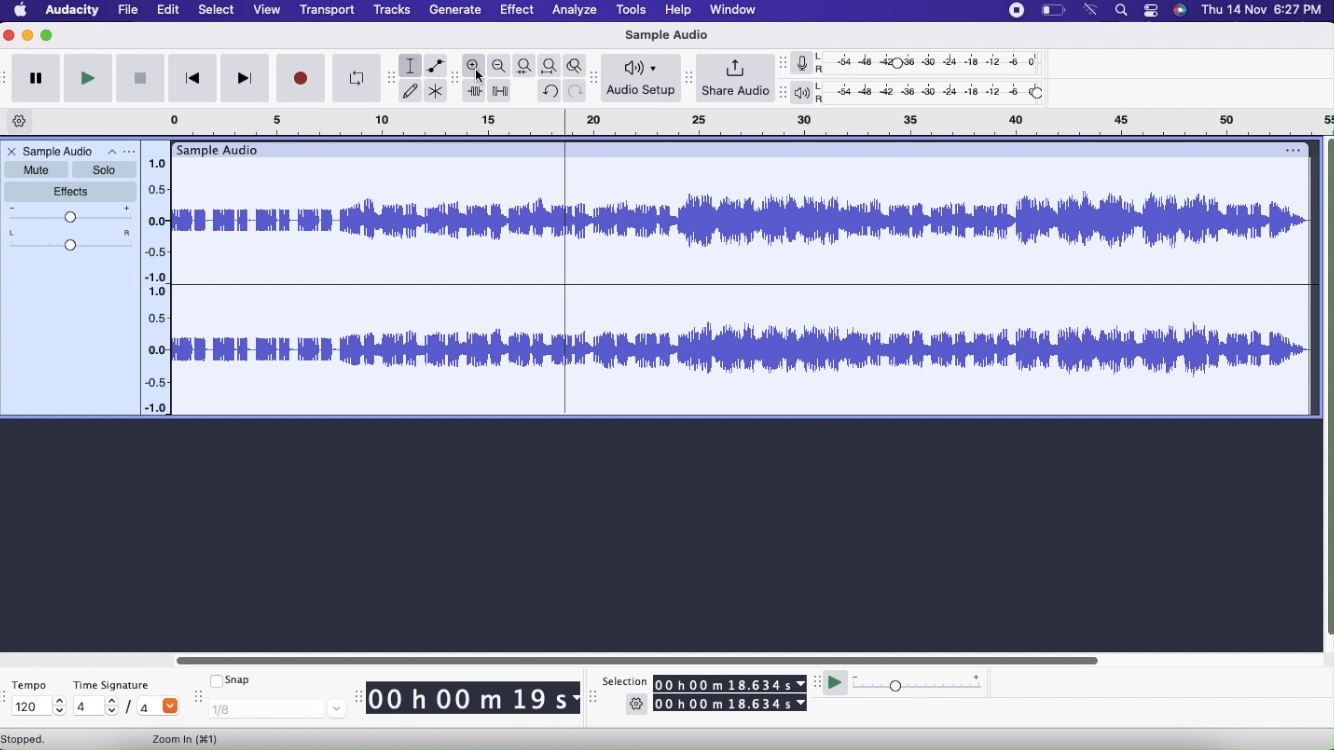  What do you see at coordinates (234, 681) in the screenshot?
I see `Snap` at bounding box center [234, 681].